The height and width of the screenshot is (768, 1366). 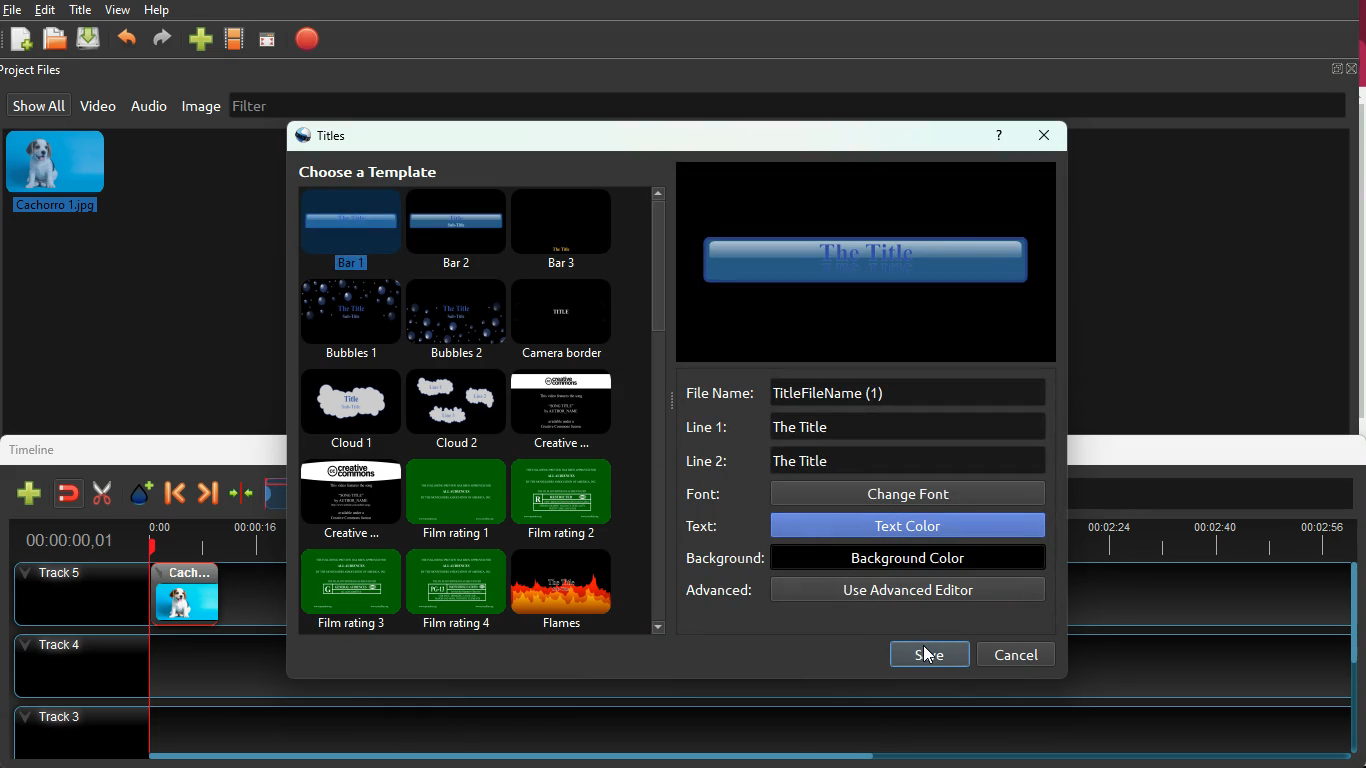 What do you see at coordinates (347, 320) in the screenshot?
I see `bubbles 1` at bounding box center [347, 320].